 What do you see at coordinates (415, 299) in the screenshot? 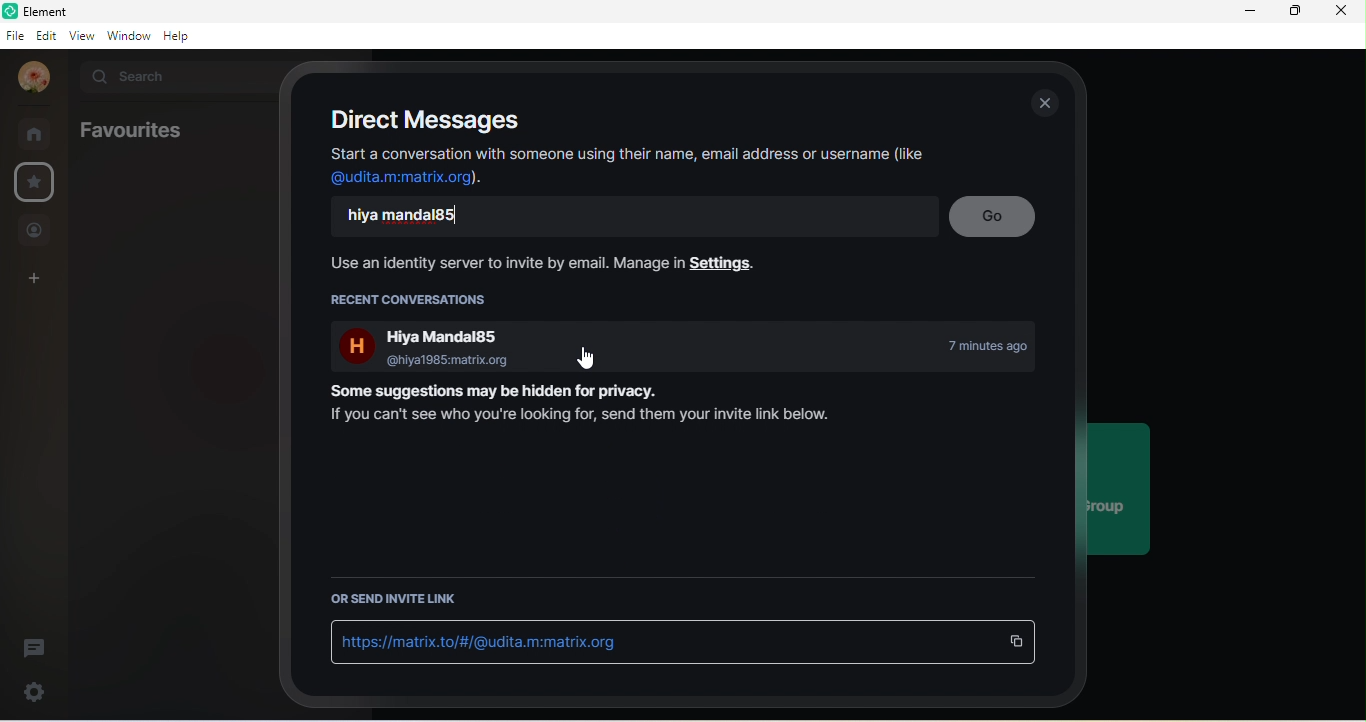
I see `recent conversations` at bounding box center [415, 299].